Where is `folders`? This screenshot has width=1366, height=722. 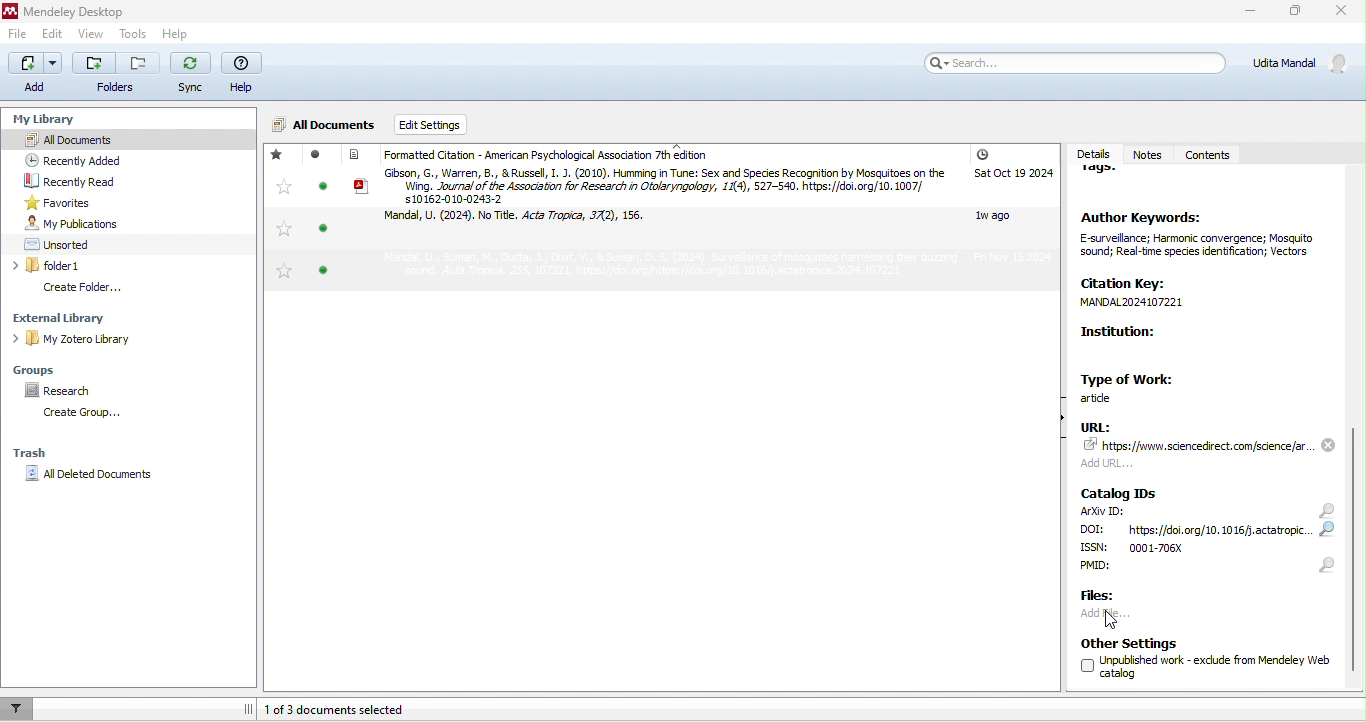
folders is located at coordinates (117, 75).